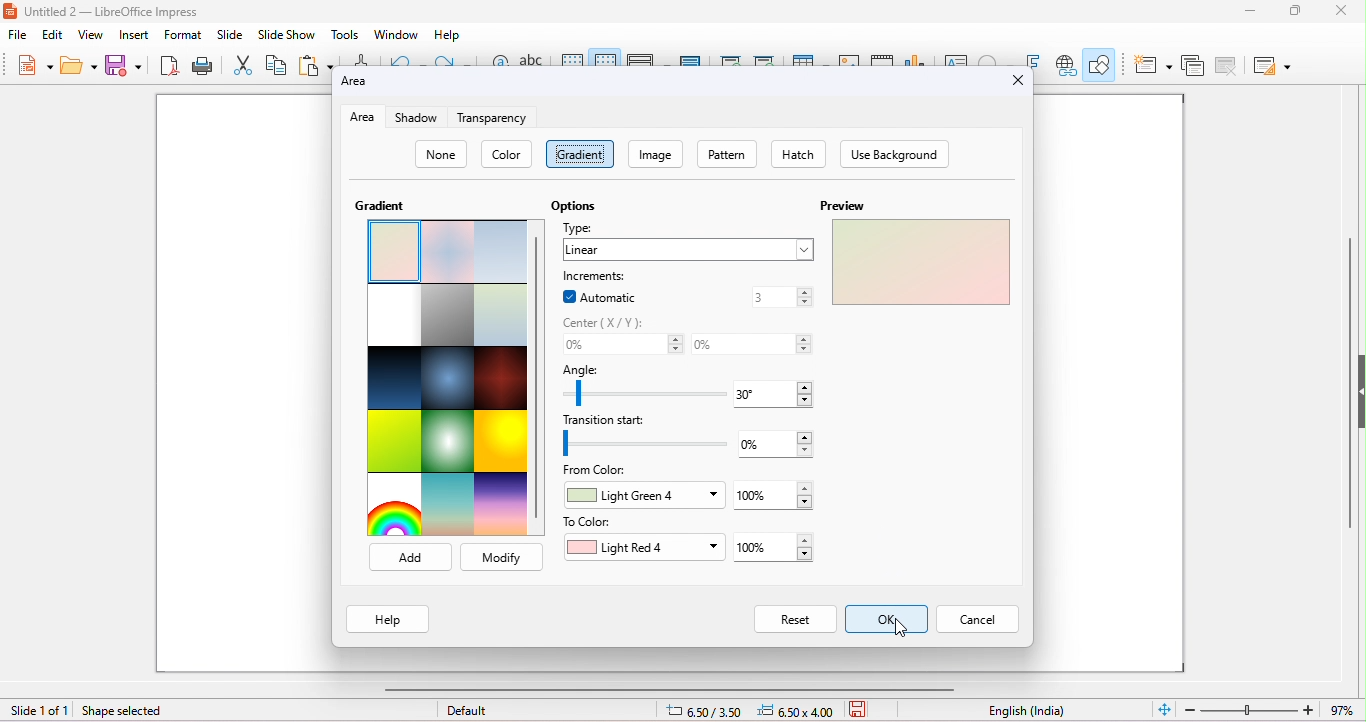 The image size is (1366, 722). I want to click on clone, so click(362, 58).